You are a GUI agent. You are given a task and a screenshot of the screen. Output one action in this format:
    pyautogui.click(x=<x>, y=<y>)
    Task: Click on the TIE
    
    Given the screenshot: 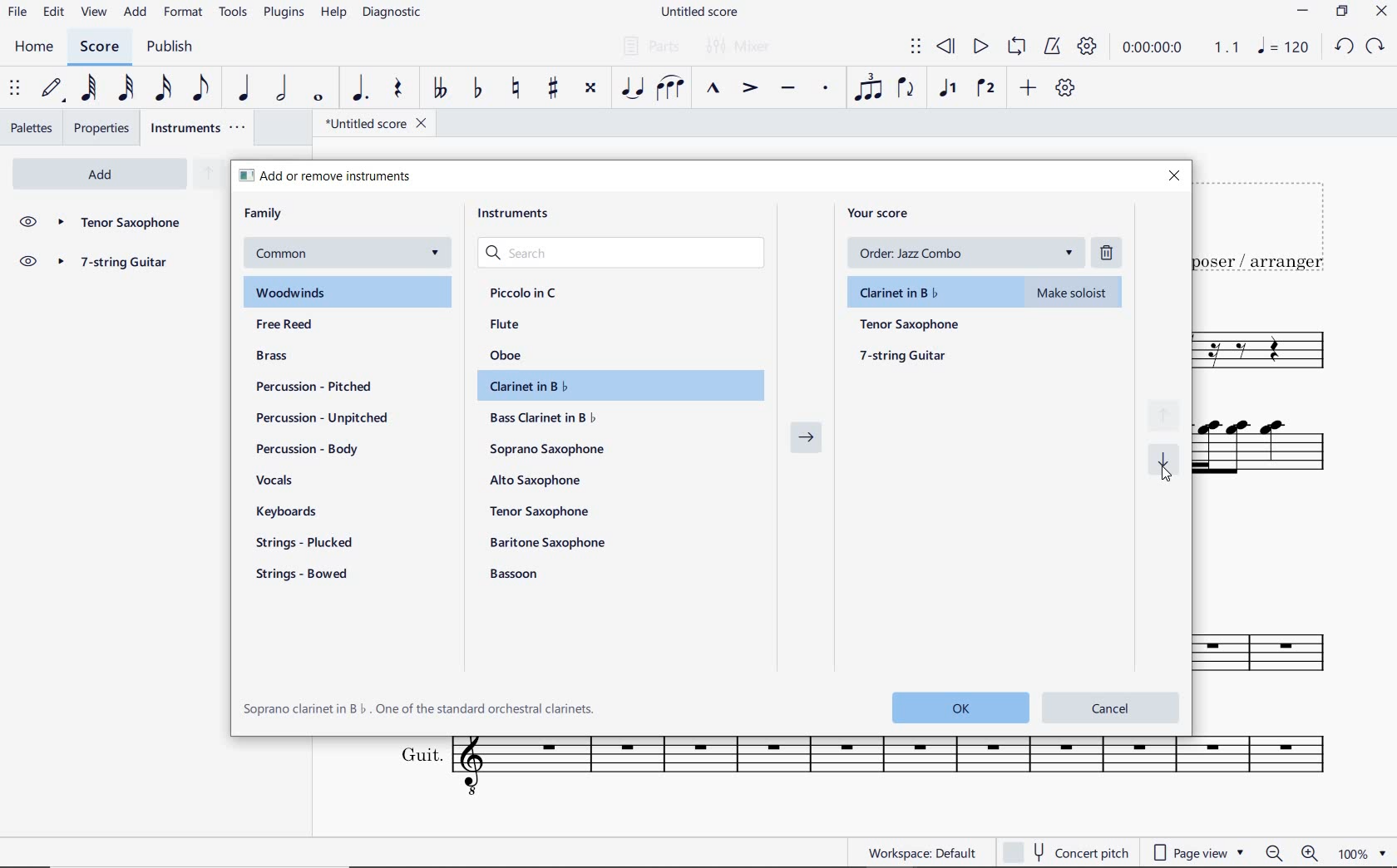 What is the action you would take?
    pyautogui.click(x=632, y=86)
    